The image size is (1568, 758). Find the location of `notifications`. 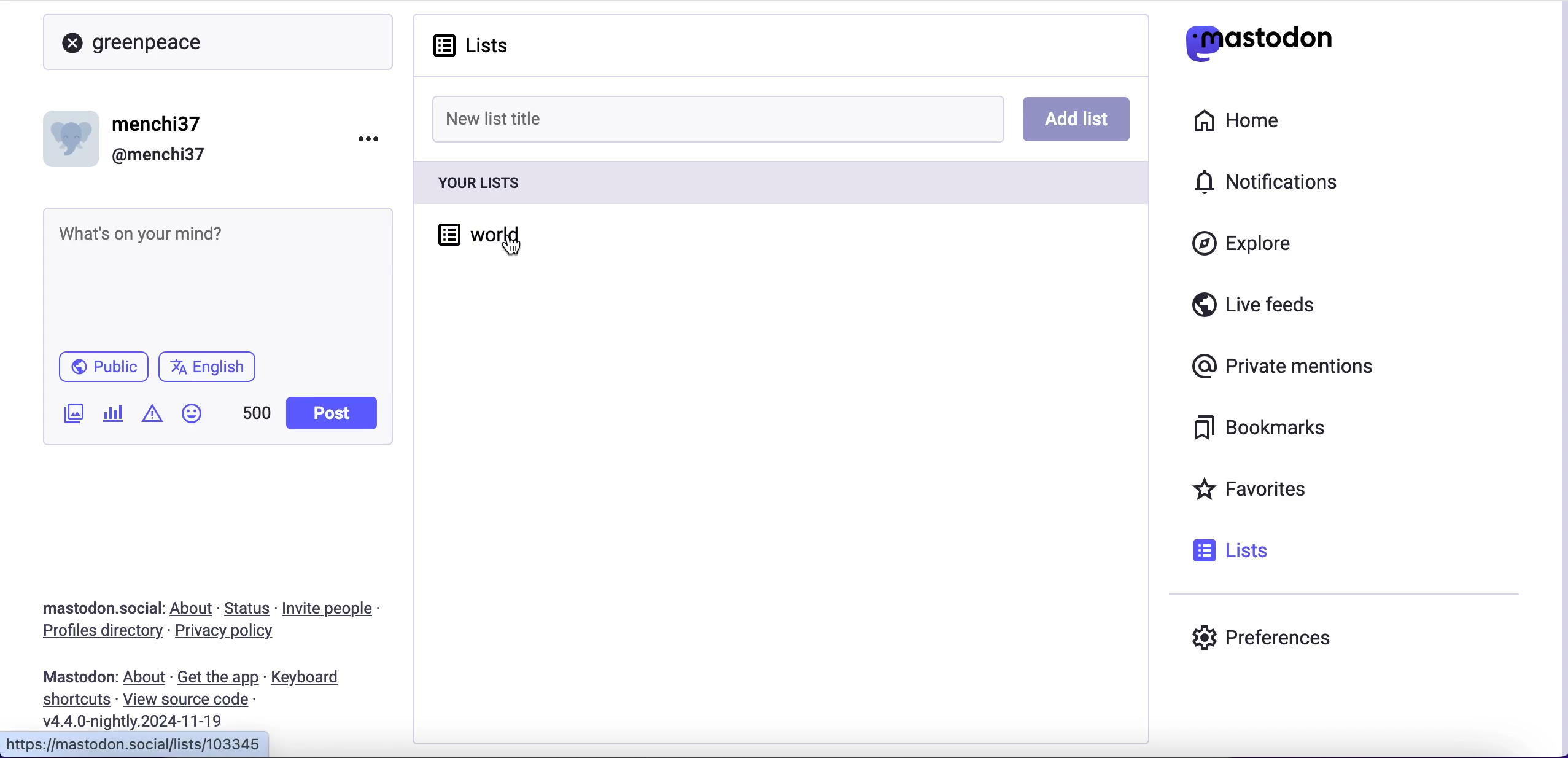

notifications is located at coordinates (1272, 181).